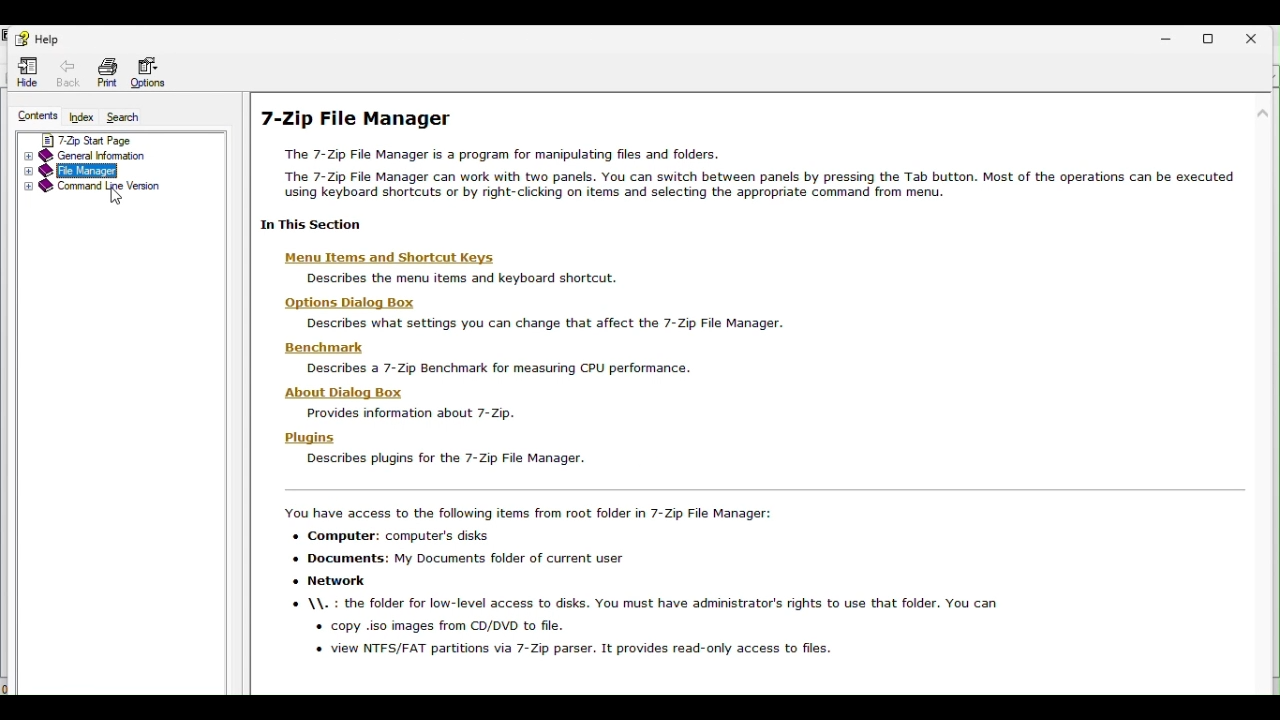  Describe the element at coordinates (117, 199) in the screenshot. I see `Cursor` at that location.